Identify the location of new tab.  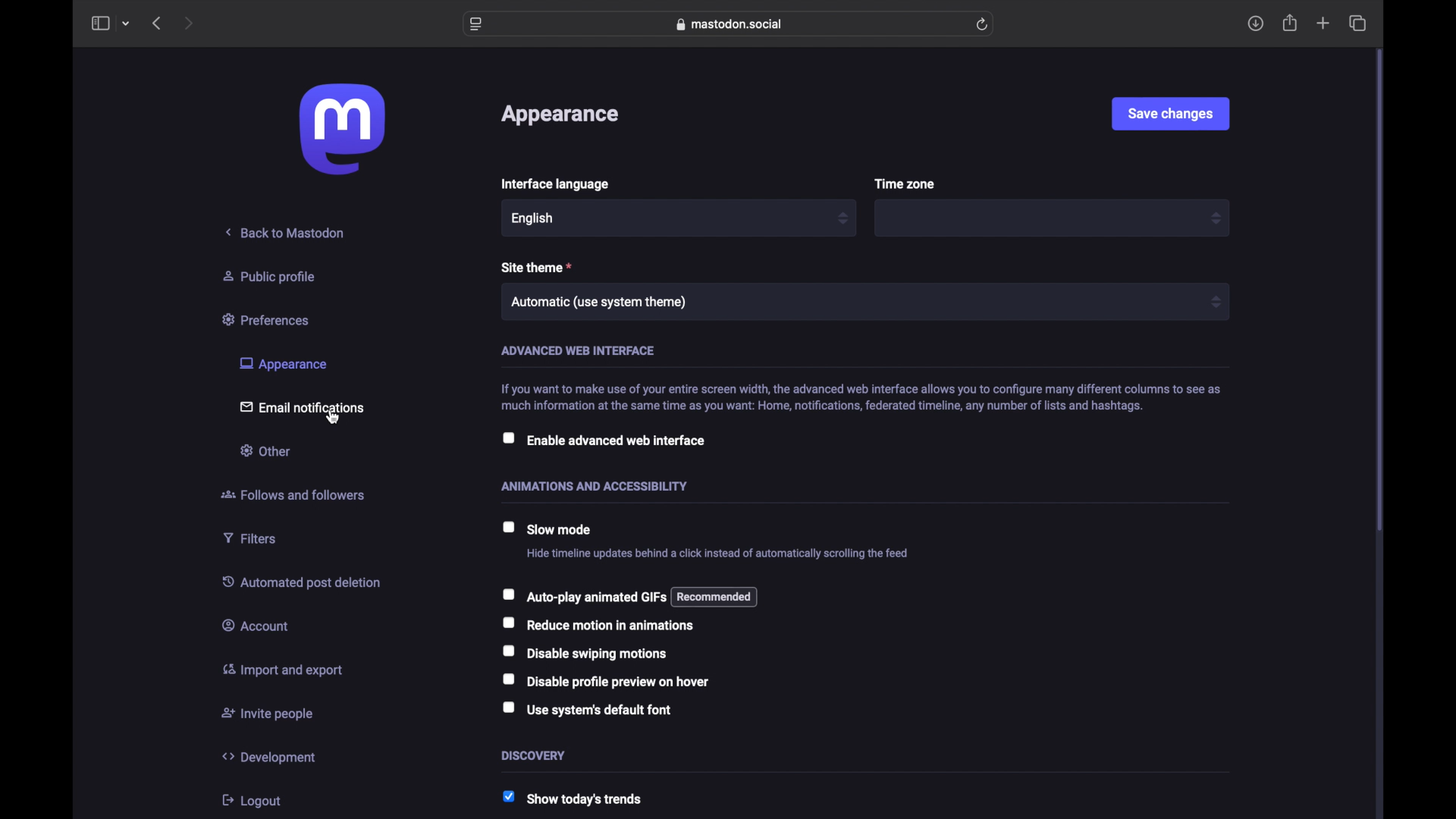
(1323, 24).